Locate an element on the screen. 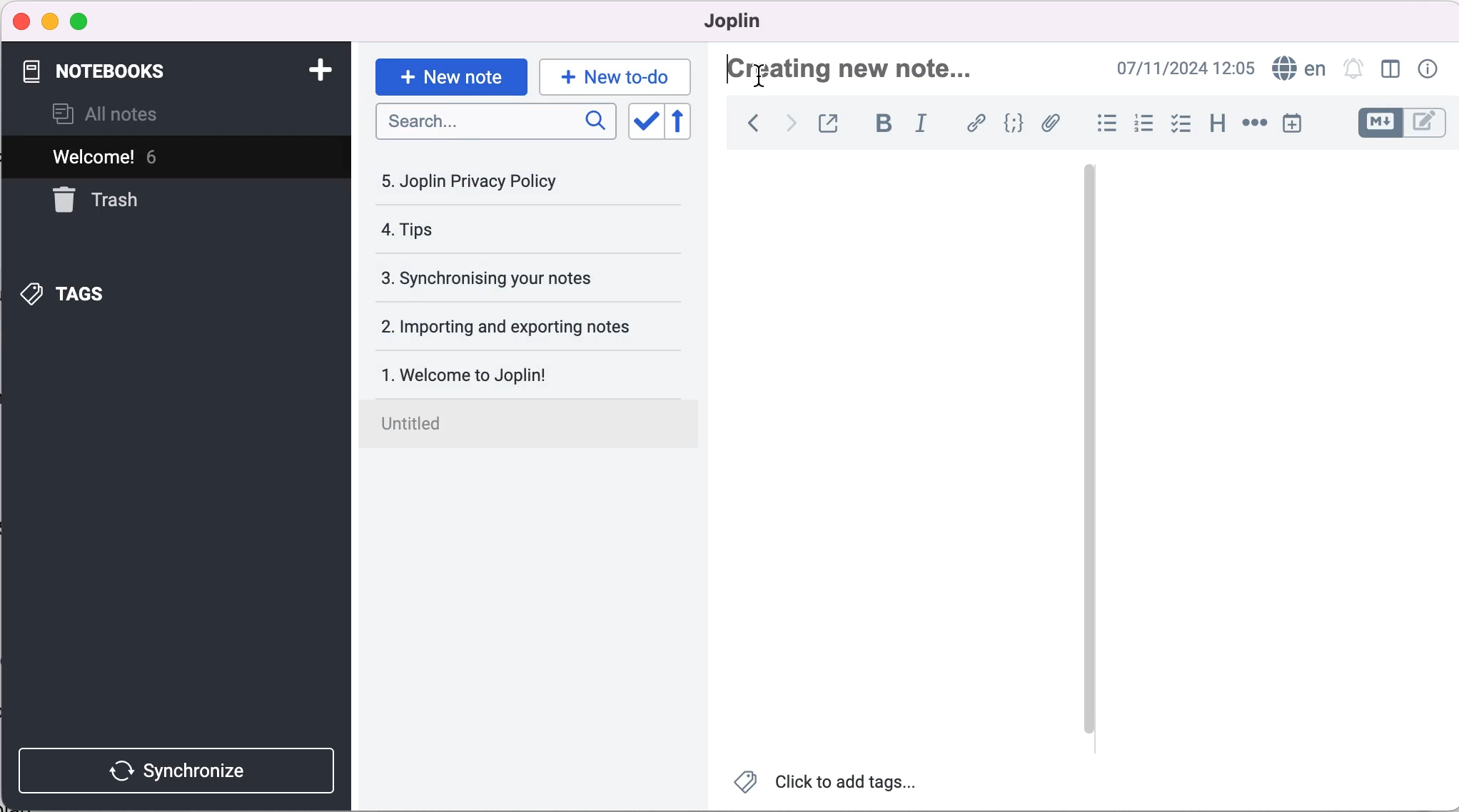  check box is located at coordinates (1176, 123).